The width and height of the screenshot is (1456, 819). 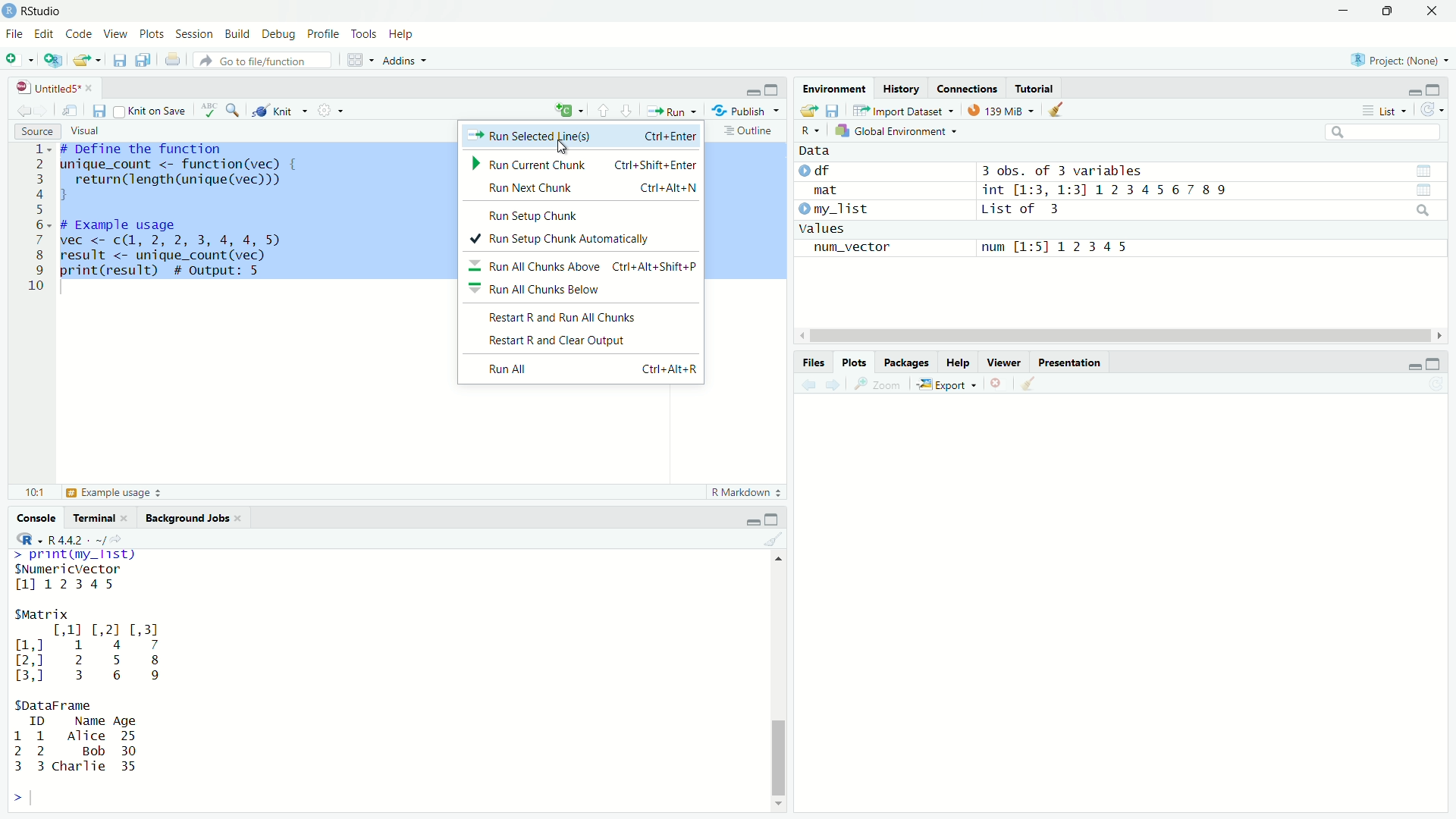 What do you see at coordinates (534, 217) in the screenshot?
I see `Run Setup Chunk` at bounding box center [534, 217].